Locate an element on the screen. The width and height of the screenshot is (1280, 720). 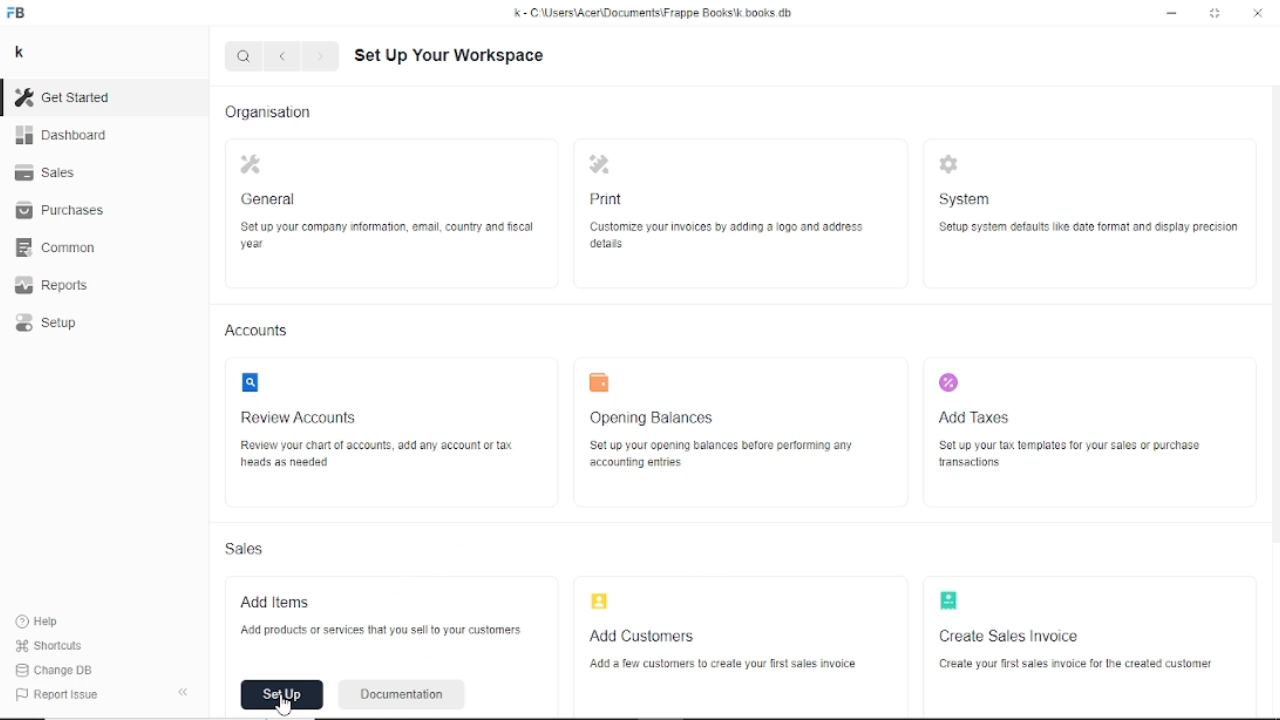
FB is located at coordinates (18, 14).